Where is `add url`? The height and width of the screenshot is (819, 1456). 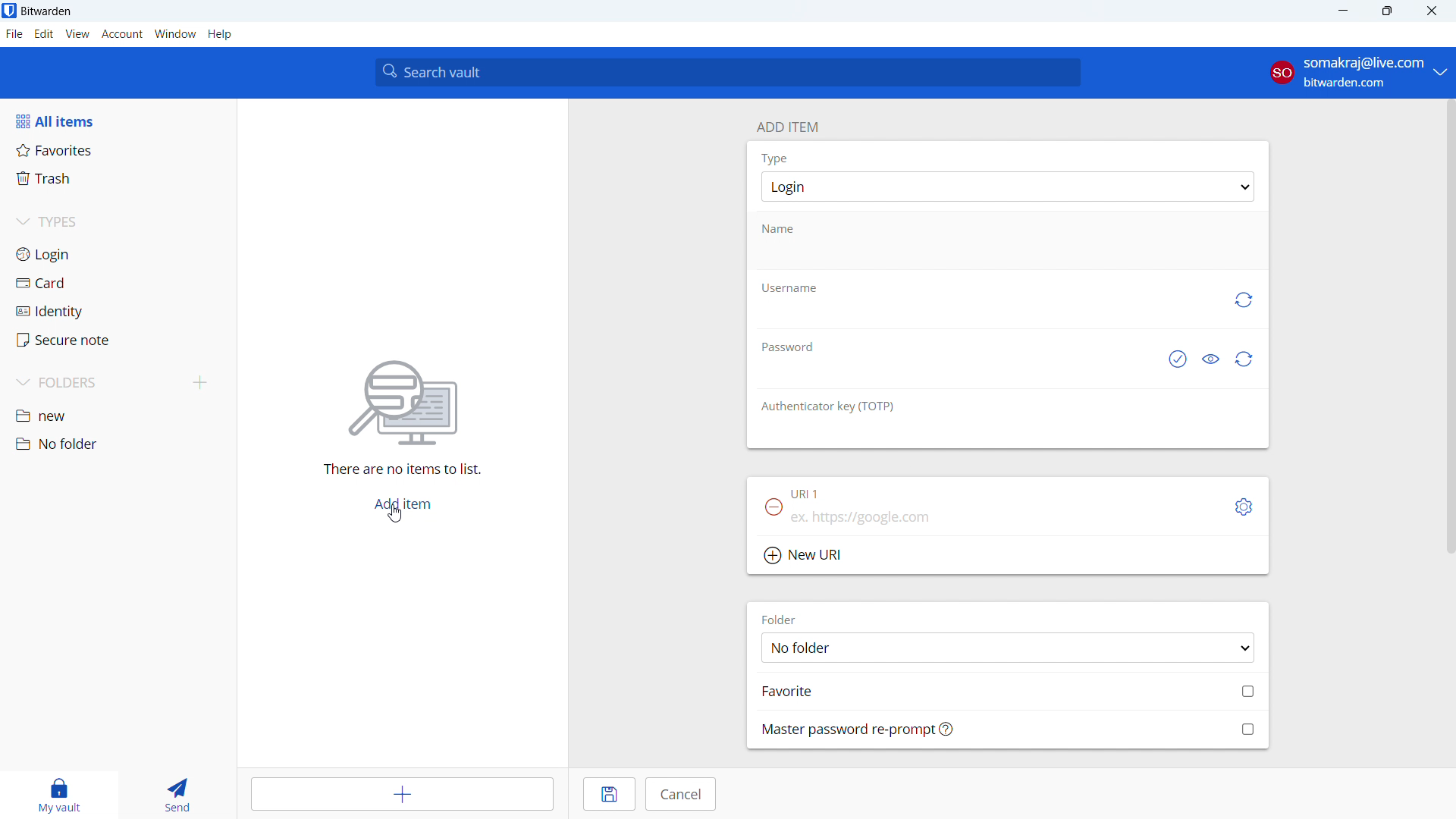
add url is located at coordinates (1007, 521).